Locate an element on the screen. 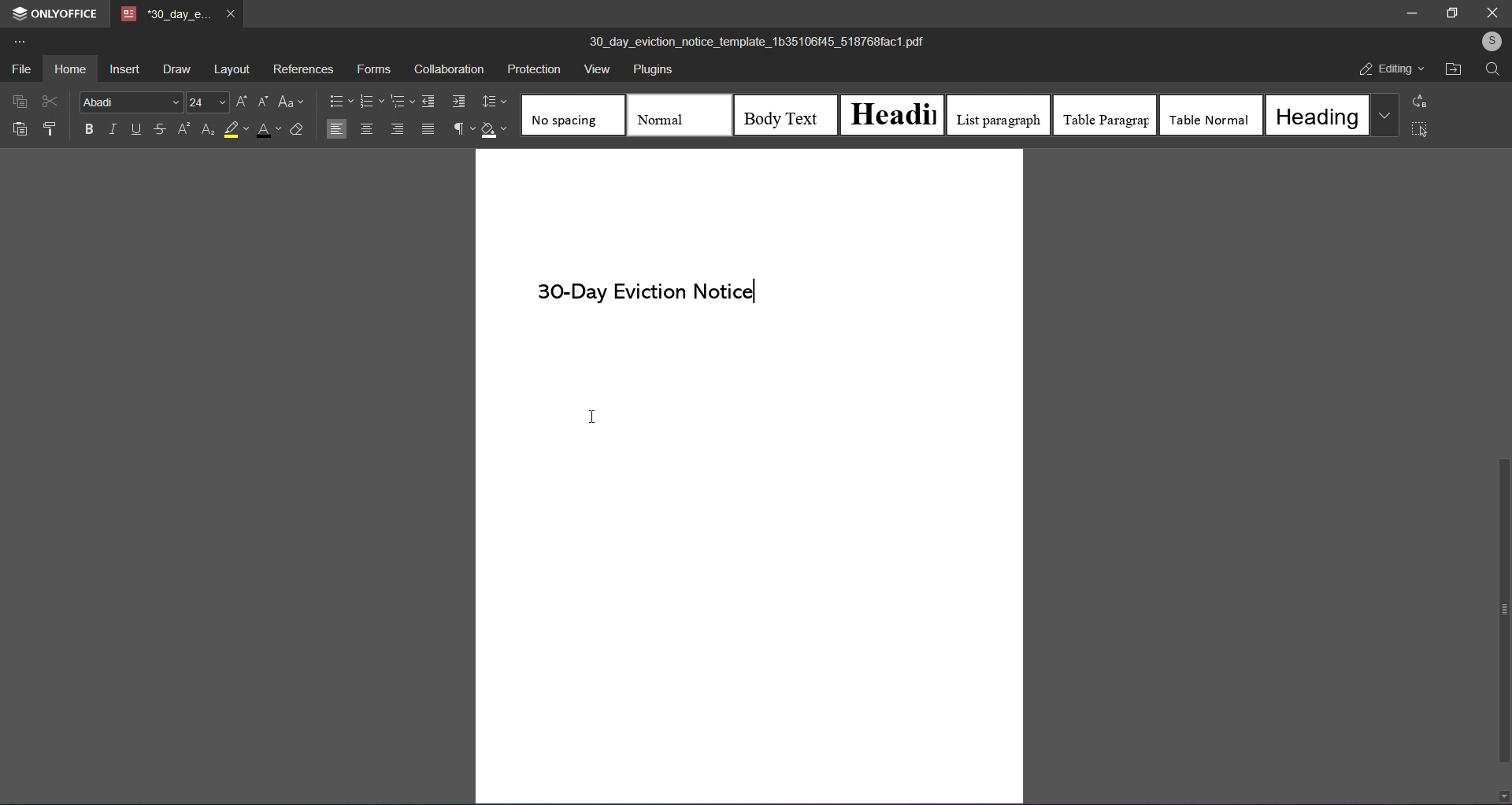  table normal is located at coordinates (1212, 115).